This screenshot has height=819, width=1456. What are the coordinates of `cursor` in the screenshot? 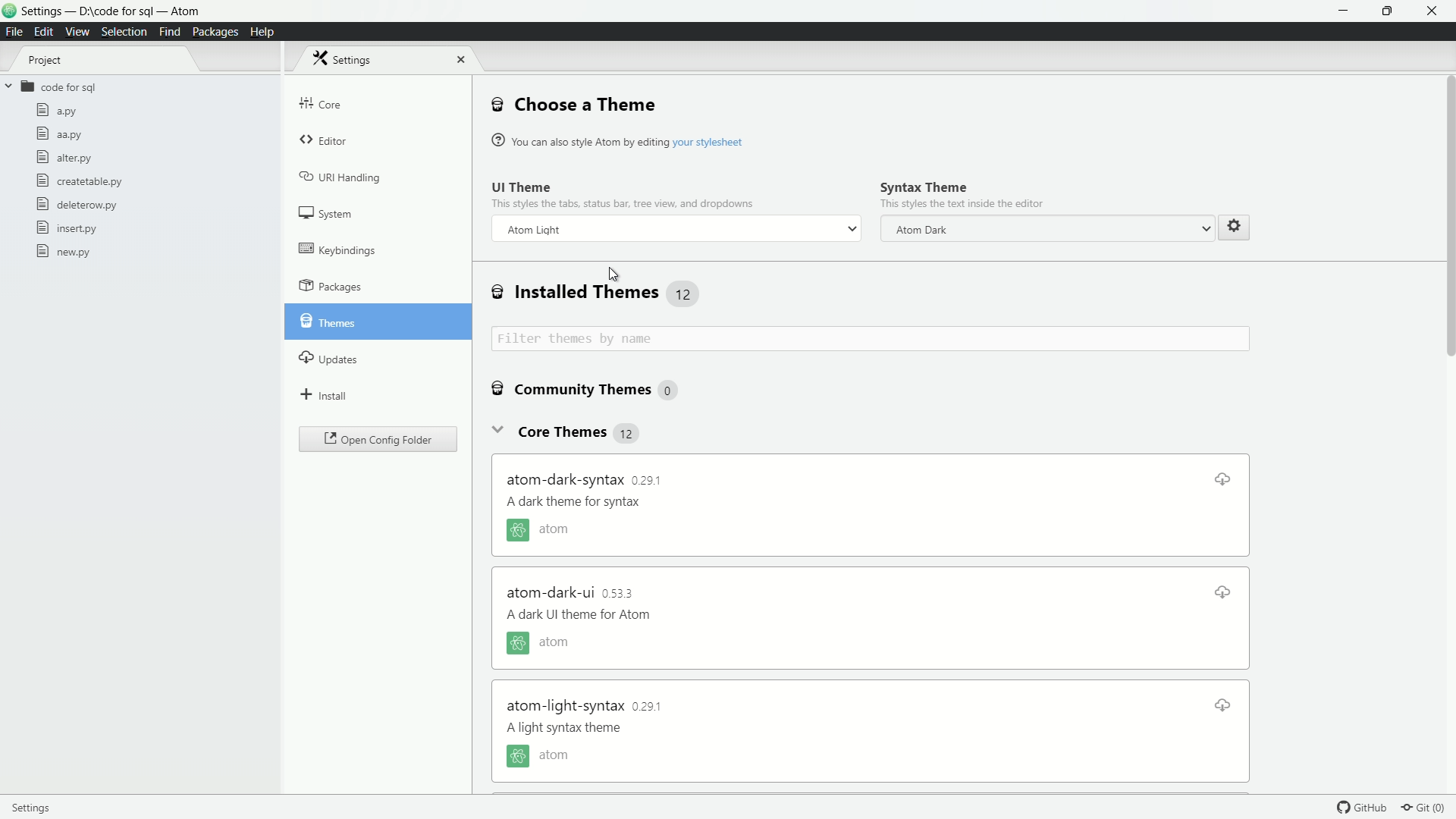 It's located at (613, 278).